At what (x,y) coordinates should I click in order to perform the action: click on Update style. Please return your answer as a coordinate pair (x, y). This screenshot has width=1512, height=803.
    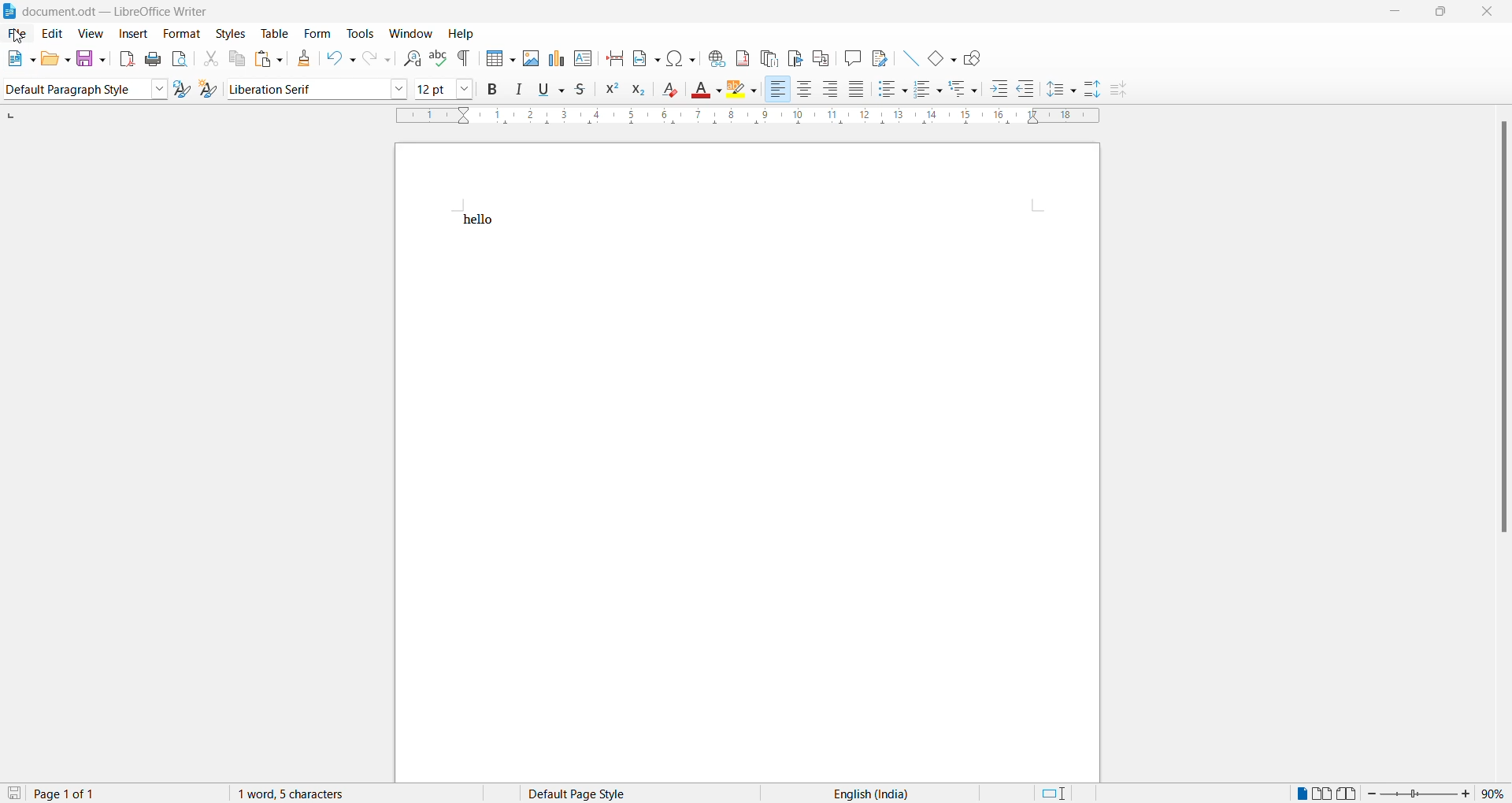
    Looking at the image, I should click on (183, 89).